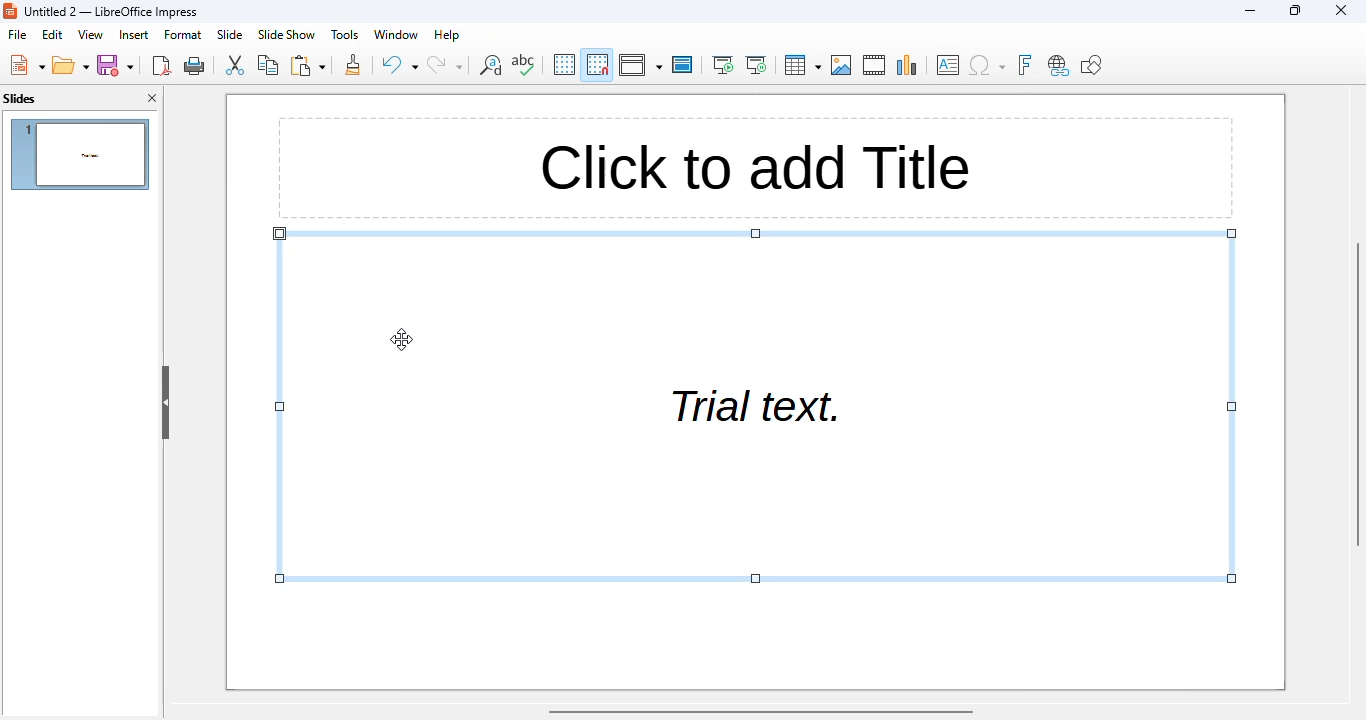 The height and width of the screenshot is (720, 1366). Describe the element at coordinates (195, 66) in the screenshot. I see `Print` at that location.